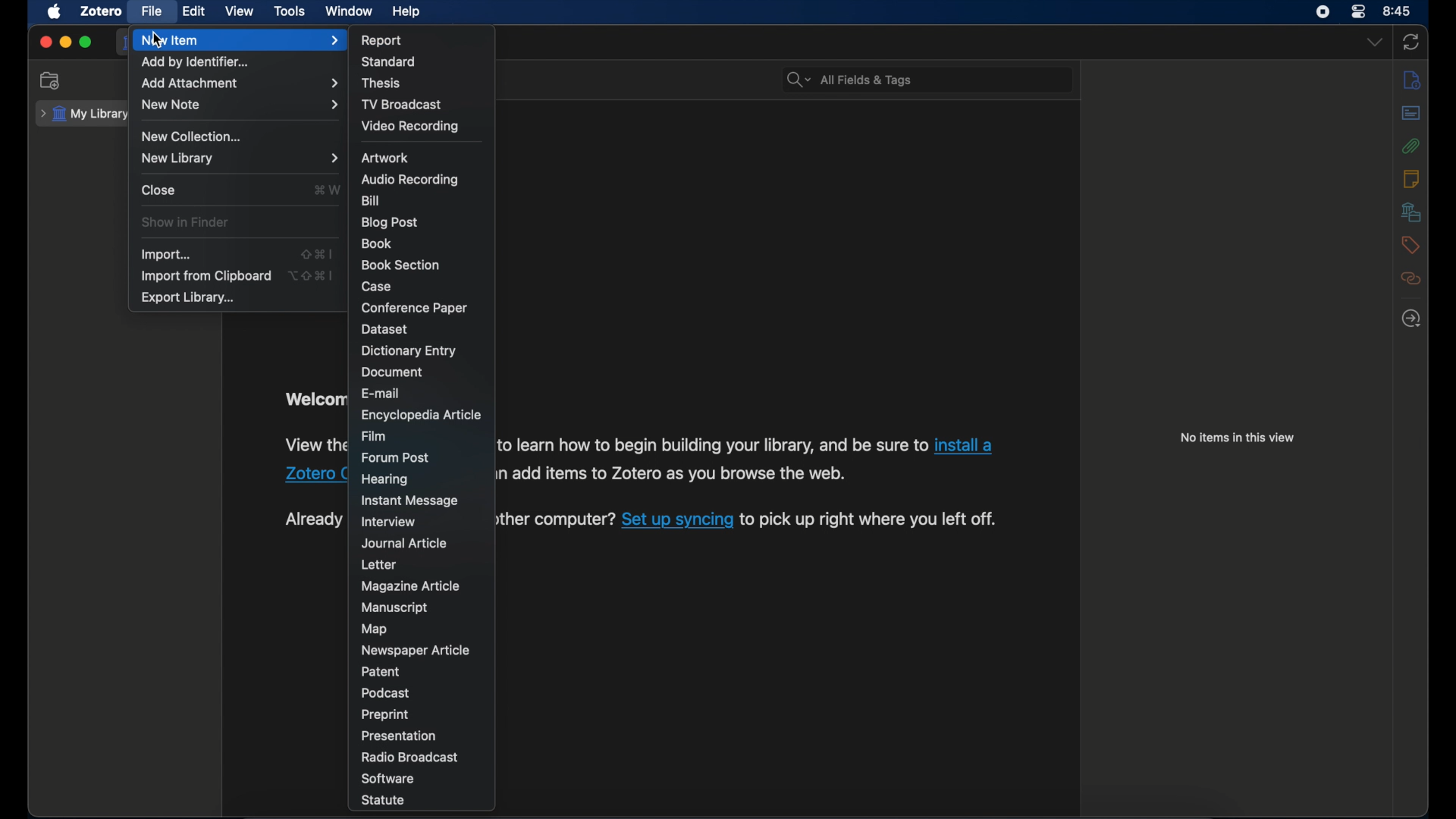 The image size is (1456, 819). Describe the element at coordinates (382, 40) in the screenshot. I see `report` at that location.